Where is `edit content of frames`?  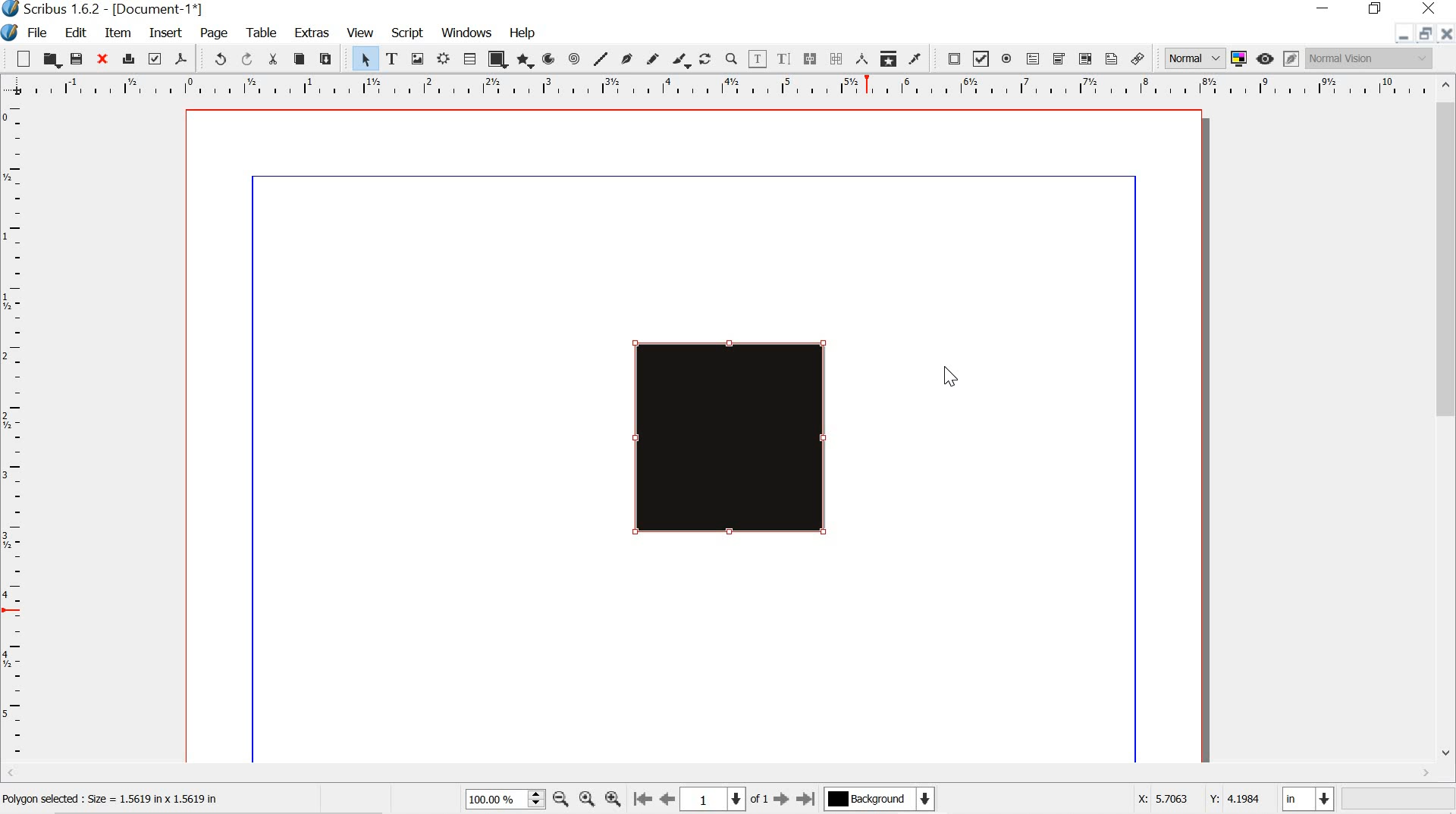
edit content of frames is located at coordinates (759, 58).